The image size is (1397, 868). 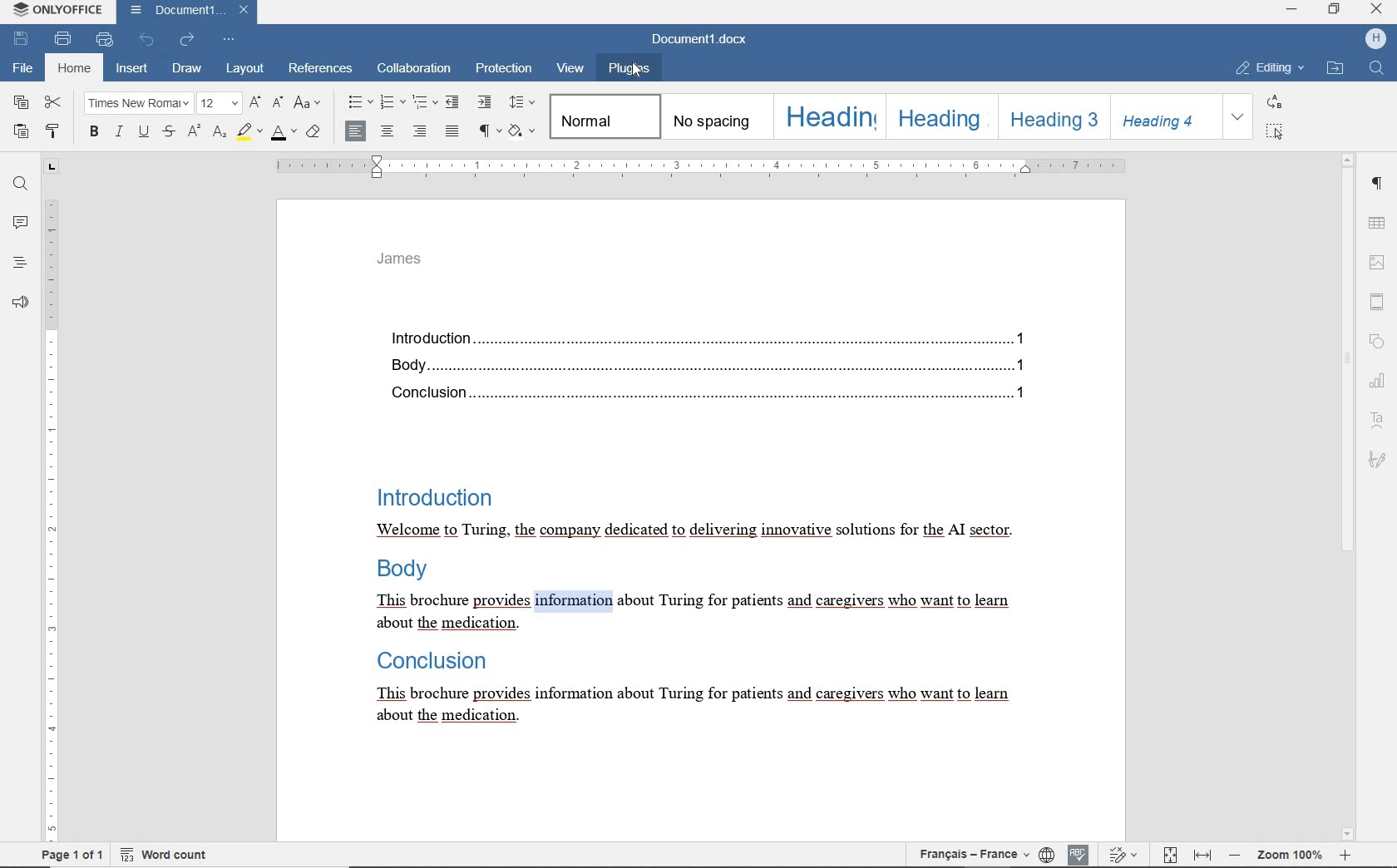 I want to click on PARAGRAPH SETTINGS, so click(x=1379, y=182).